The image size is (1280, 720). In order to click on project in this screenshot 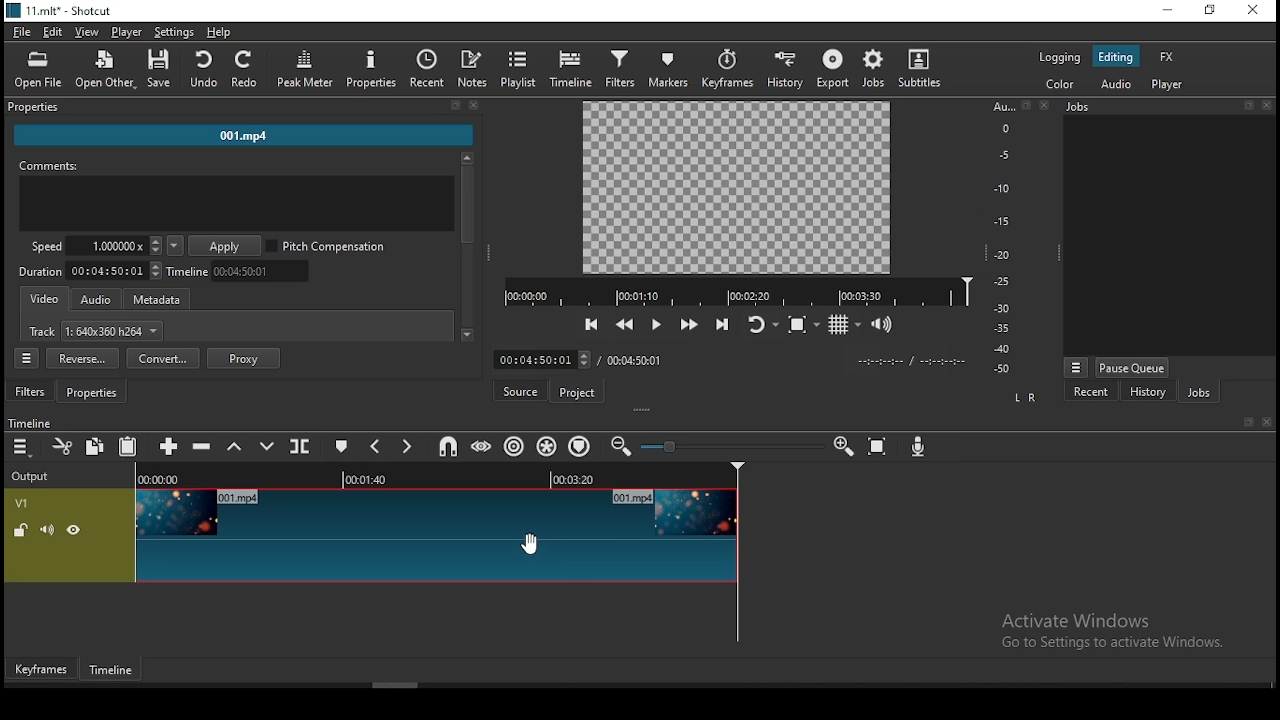, I will do `click(579, 393)`.